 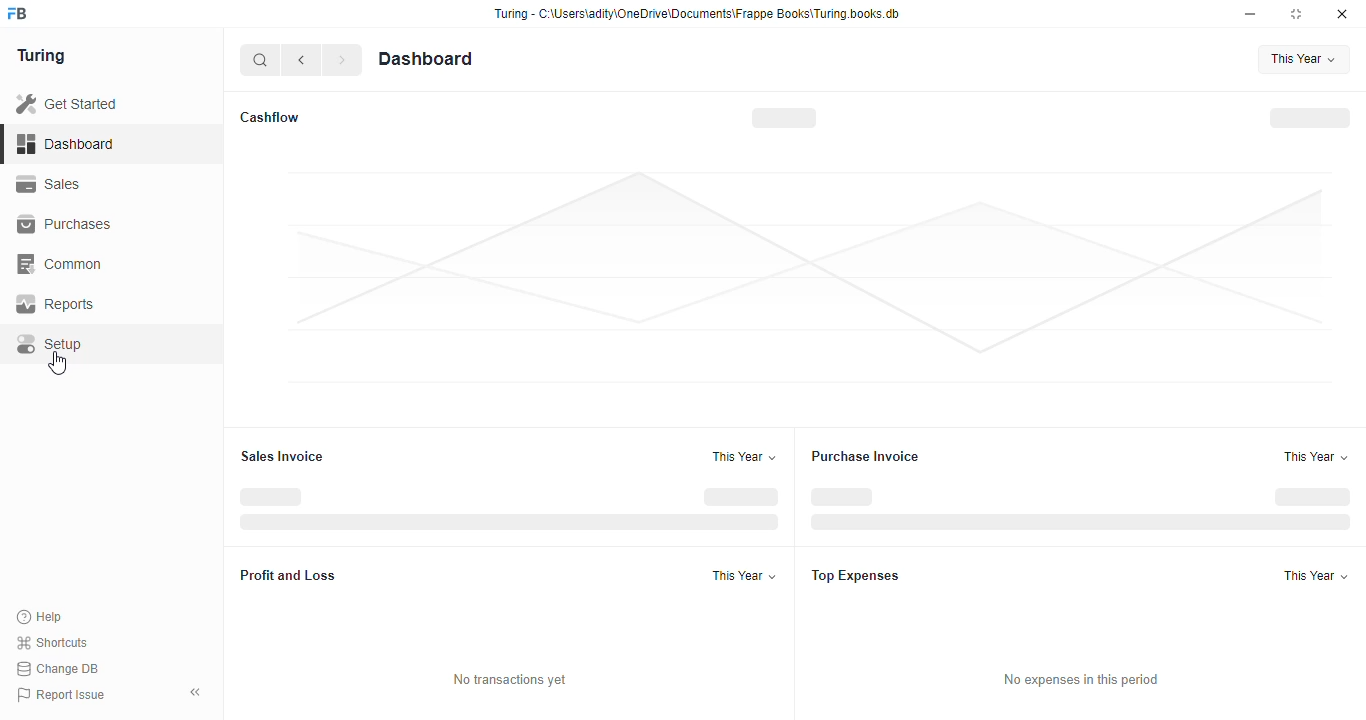 I want to click on close, so click(x=1345, y=16).